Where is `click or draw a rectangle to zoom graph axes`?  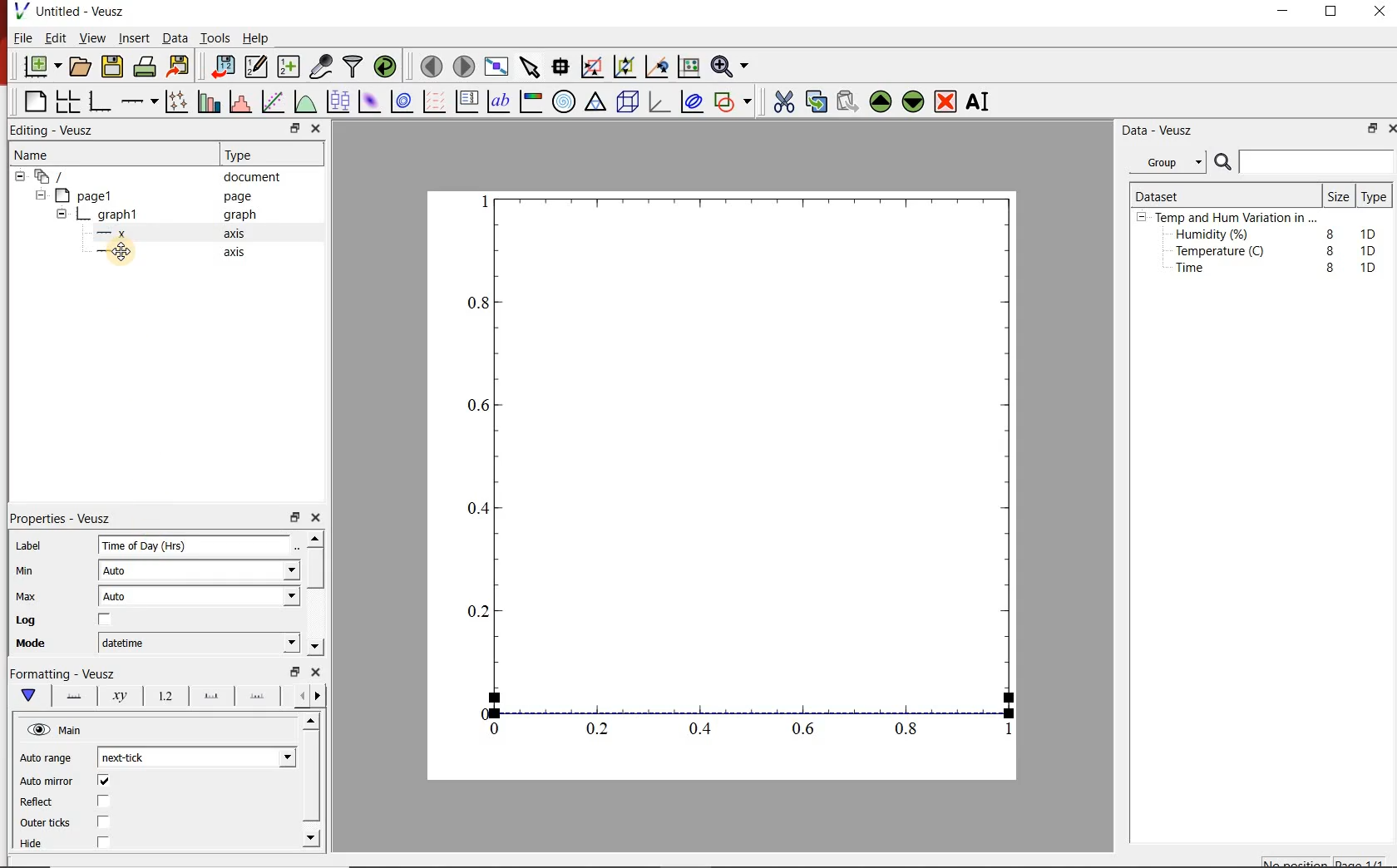
click or draw a rectangle to zoom graph axes is located at coordinates (595, 67).